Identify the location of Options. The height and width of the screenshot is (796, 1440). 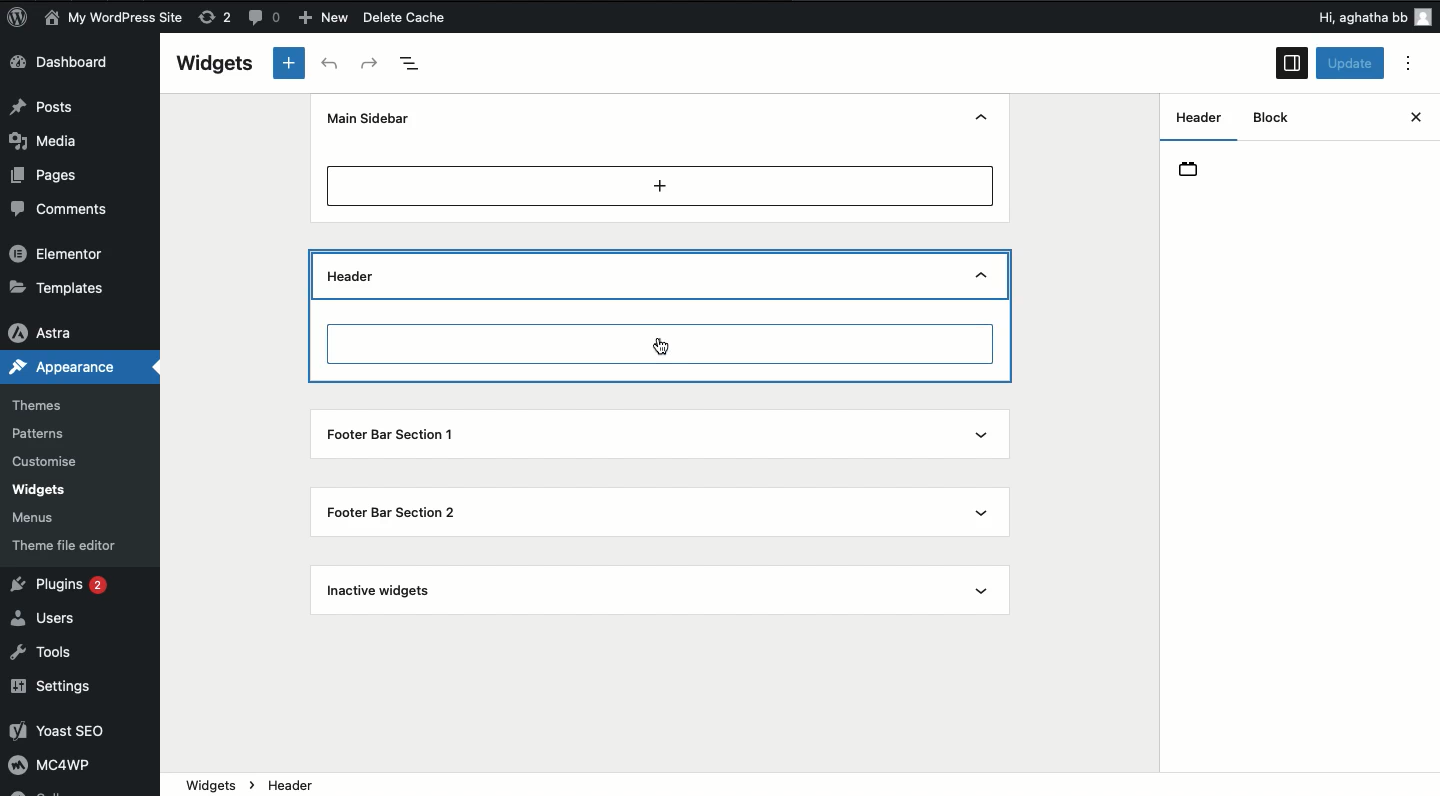
(1414, 64).